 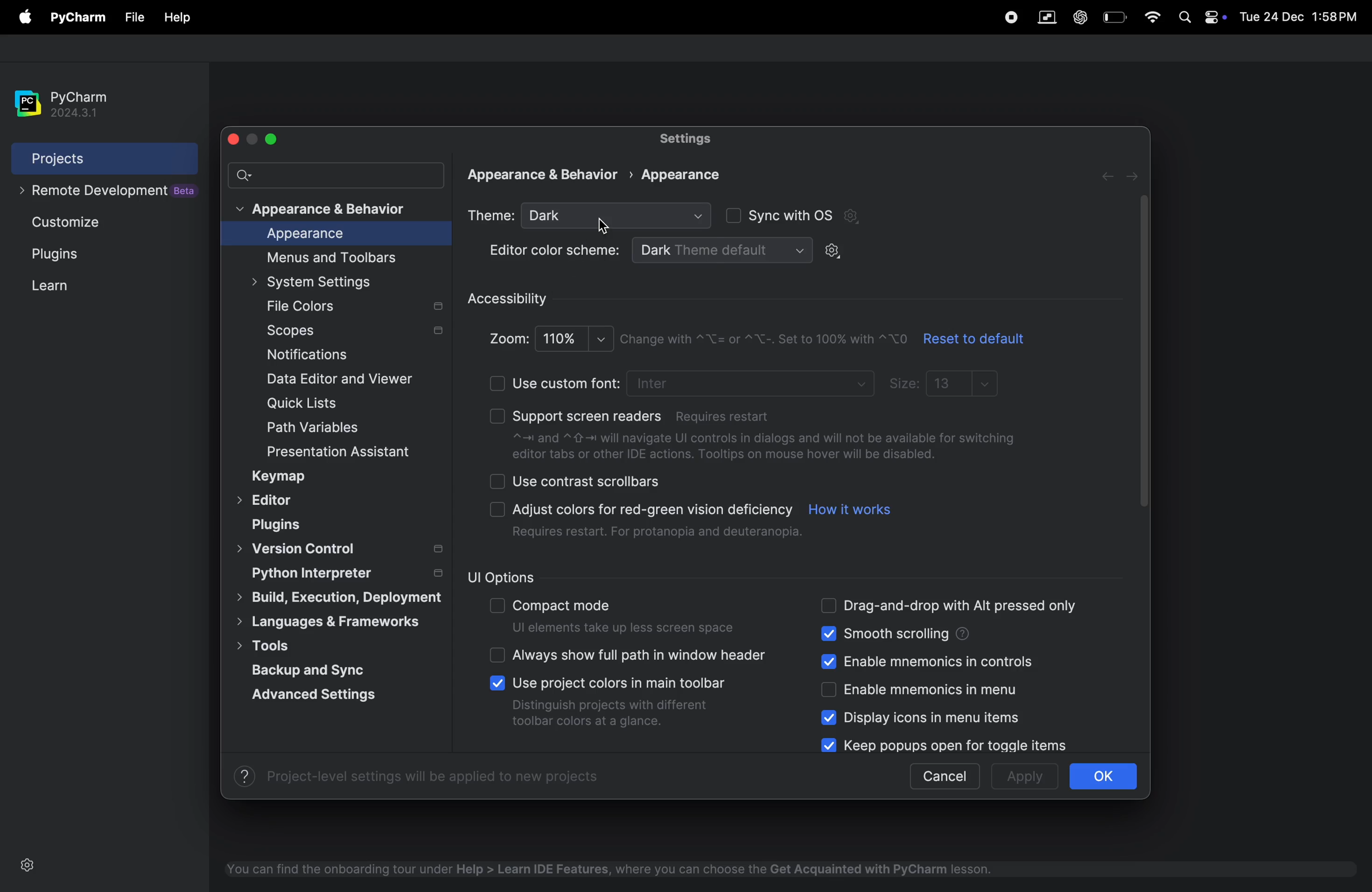 What do you see at coordinates (956, 746) in the screenshot?
I see `keep popups for open for toggle items` at bounding box center [956, 746].